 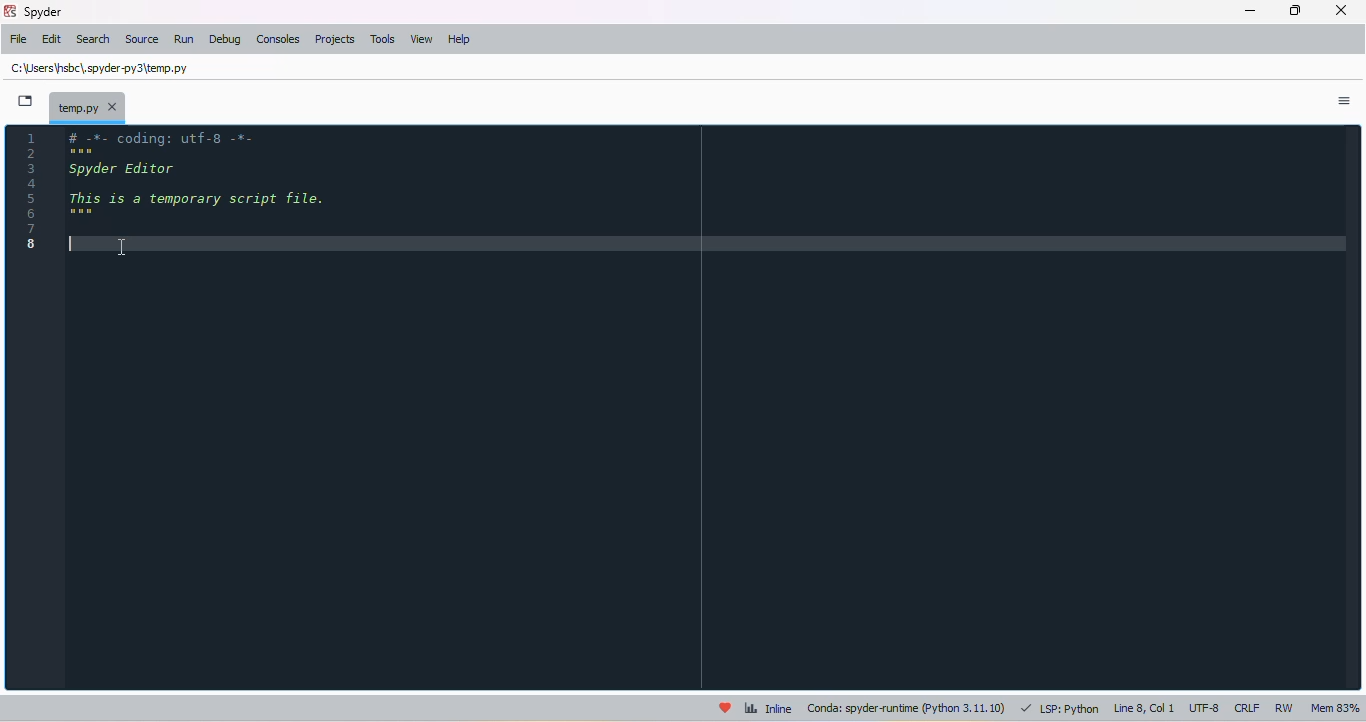 I want to click on help, so click(x=460, y=39).